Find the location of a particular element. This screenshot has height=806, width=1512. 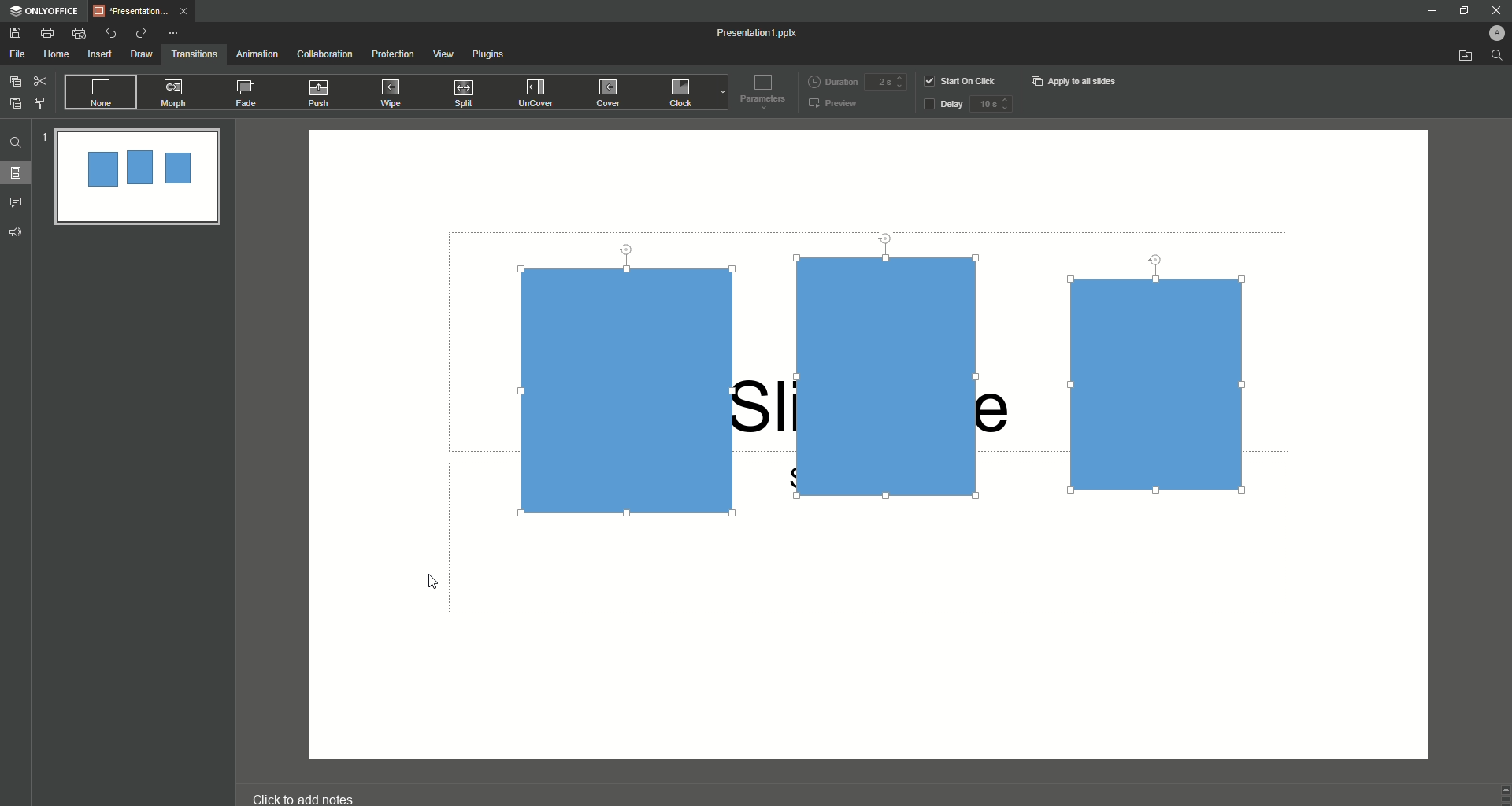

search is located at coordinates (1498, 59).